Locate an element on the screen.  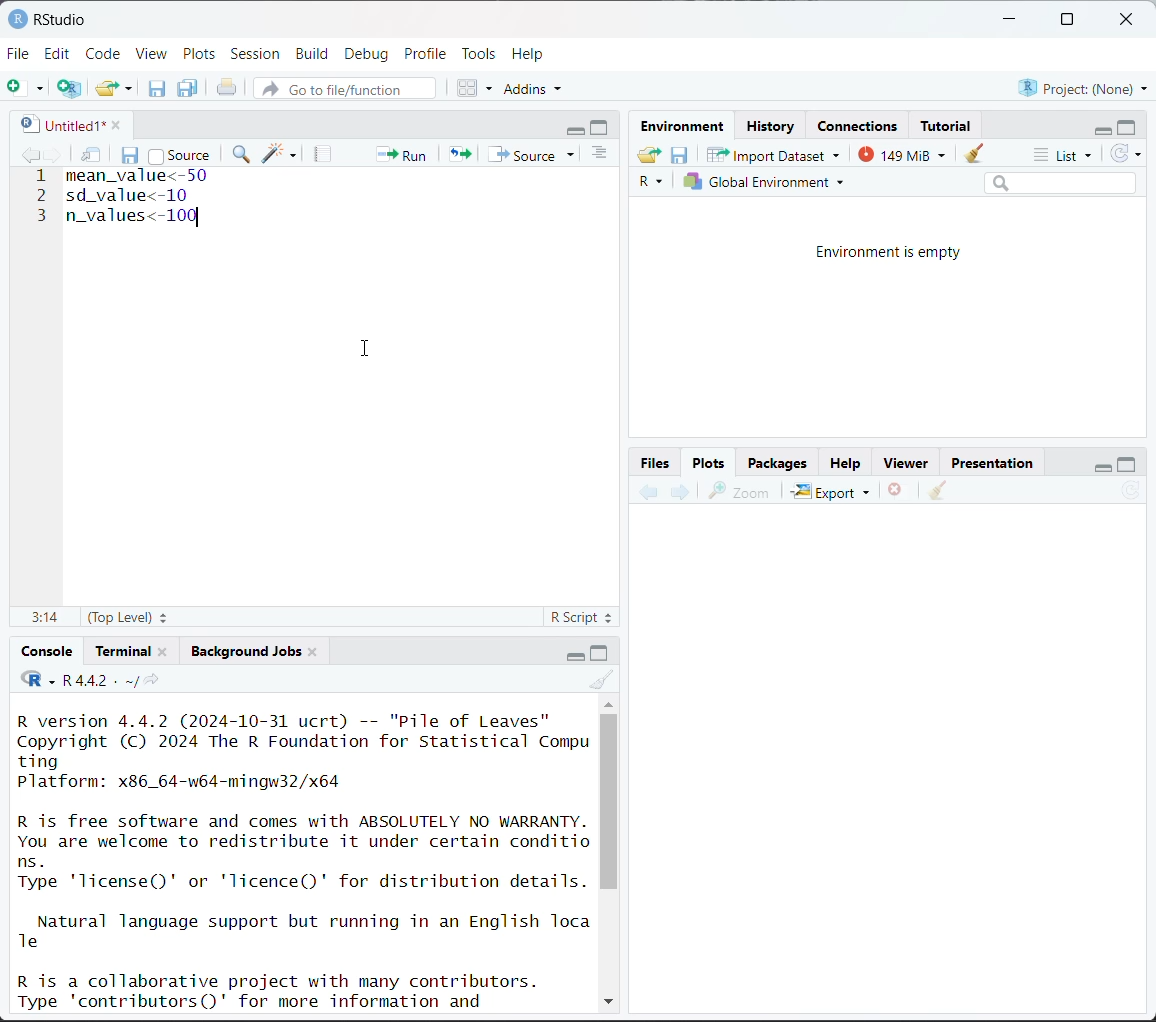
maximize is located at coordinates (602, 127).